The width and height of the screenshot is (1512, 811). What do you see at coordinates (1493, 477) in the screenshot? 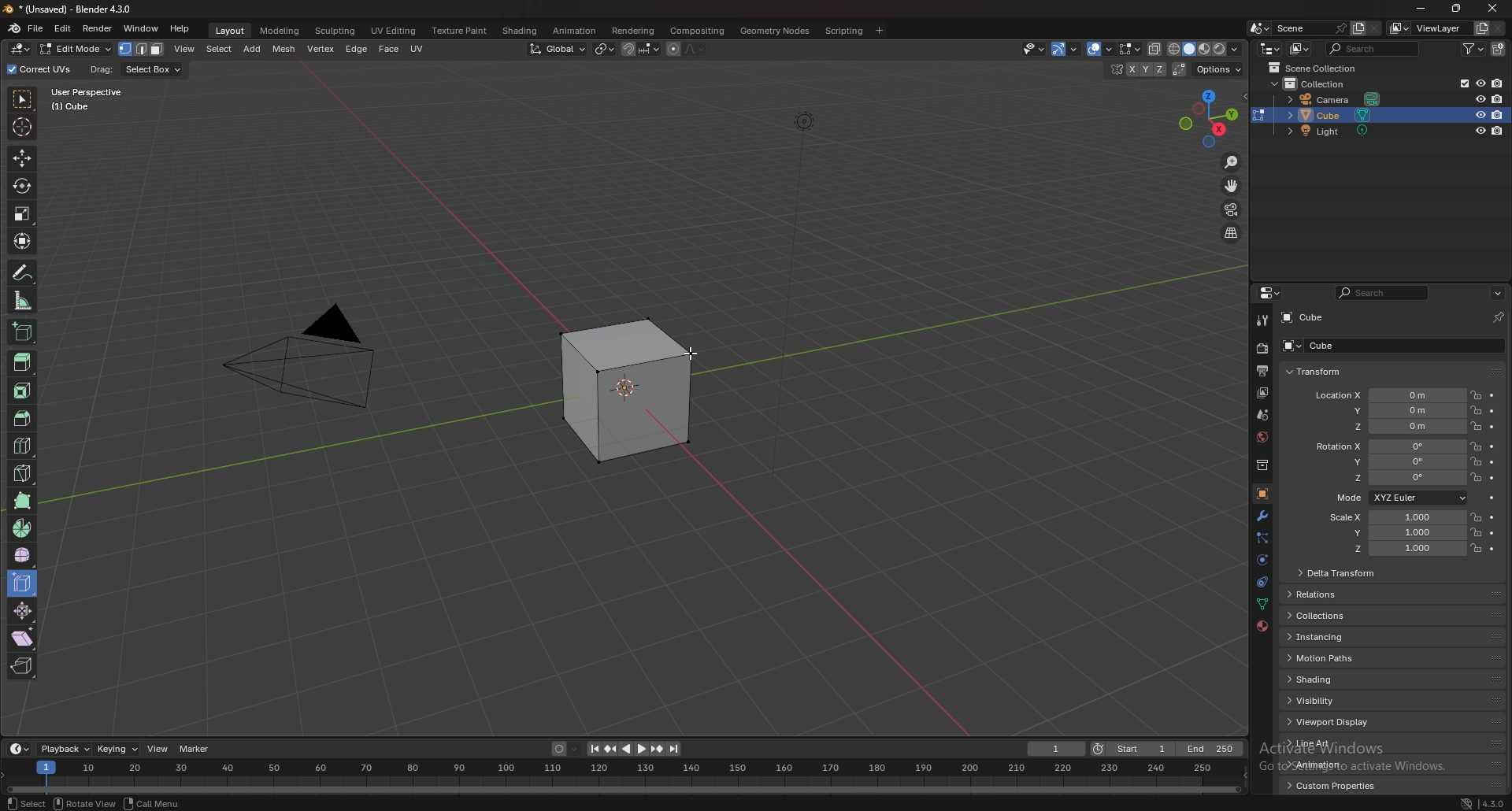
I see `animate property` at bounding box center [1493, 477].